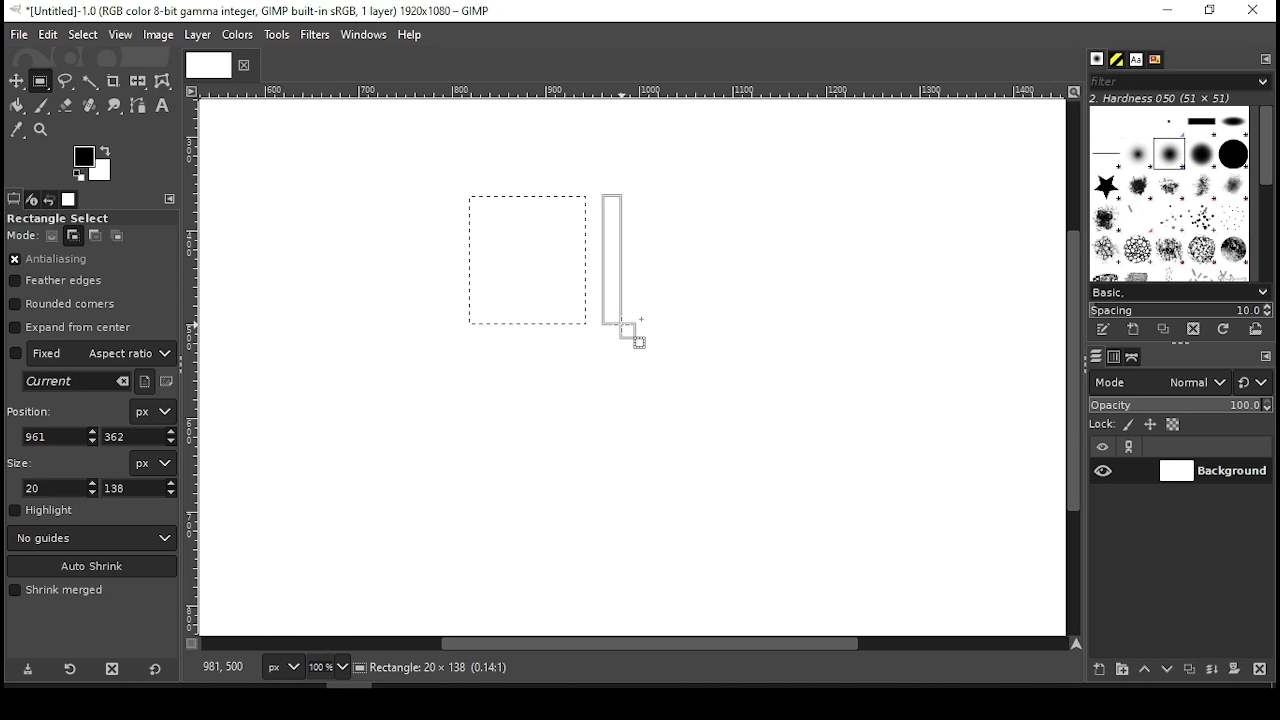 Image resolution: width=1280 pixels, height=720 pixels. Describe the element at coordinates (1097, 60) in the screenshot. I see `brushes` at that location.